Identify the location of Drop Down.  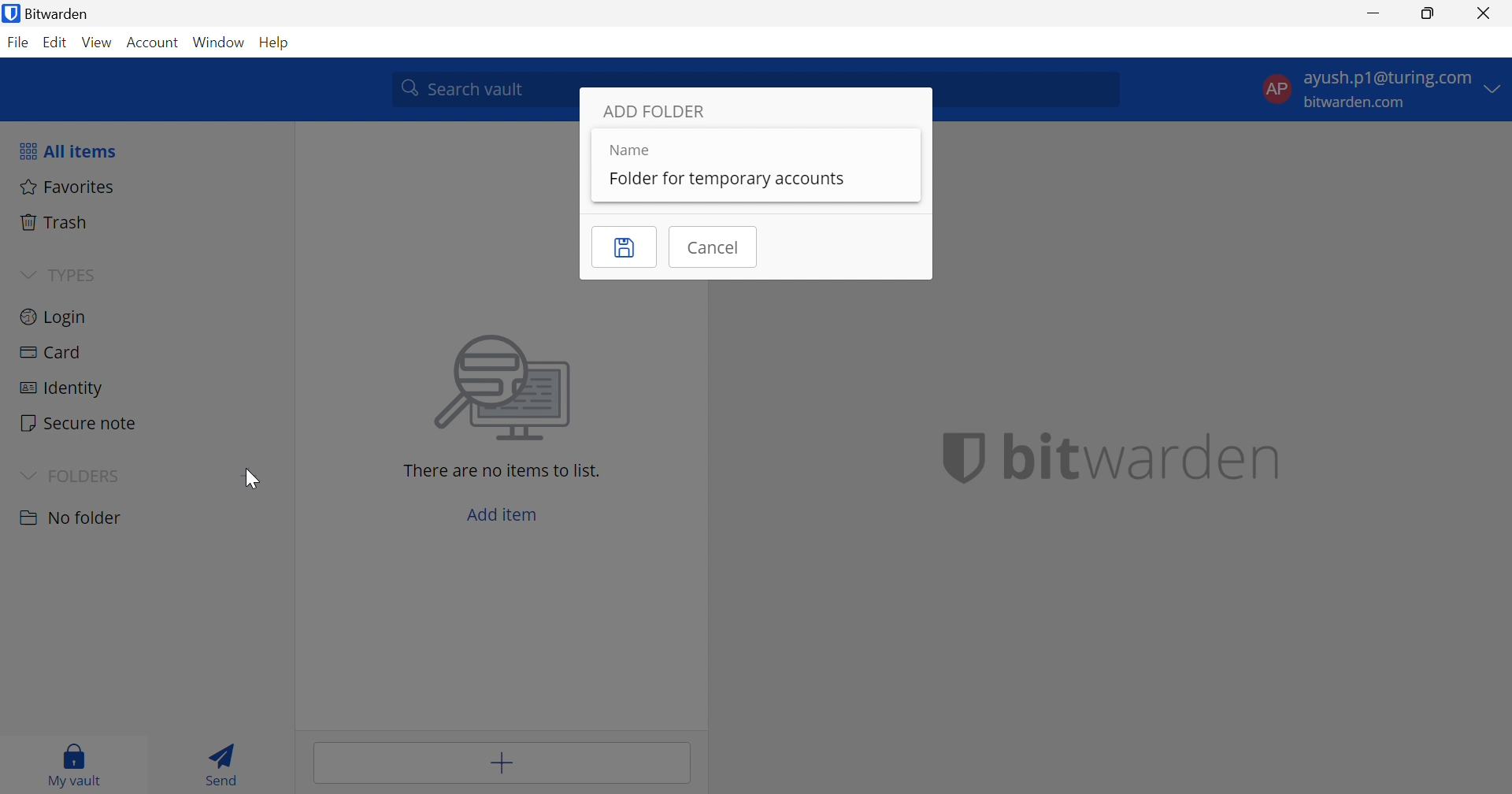
(29, 476).